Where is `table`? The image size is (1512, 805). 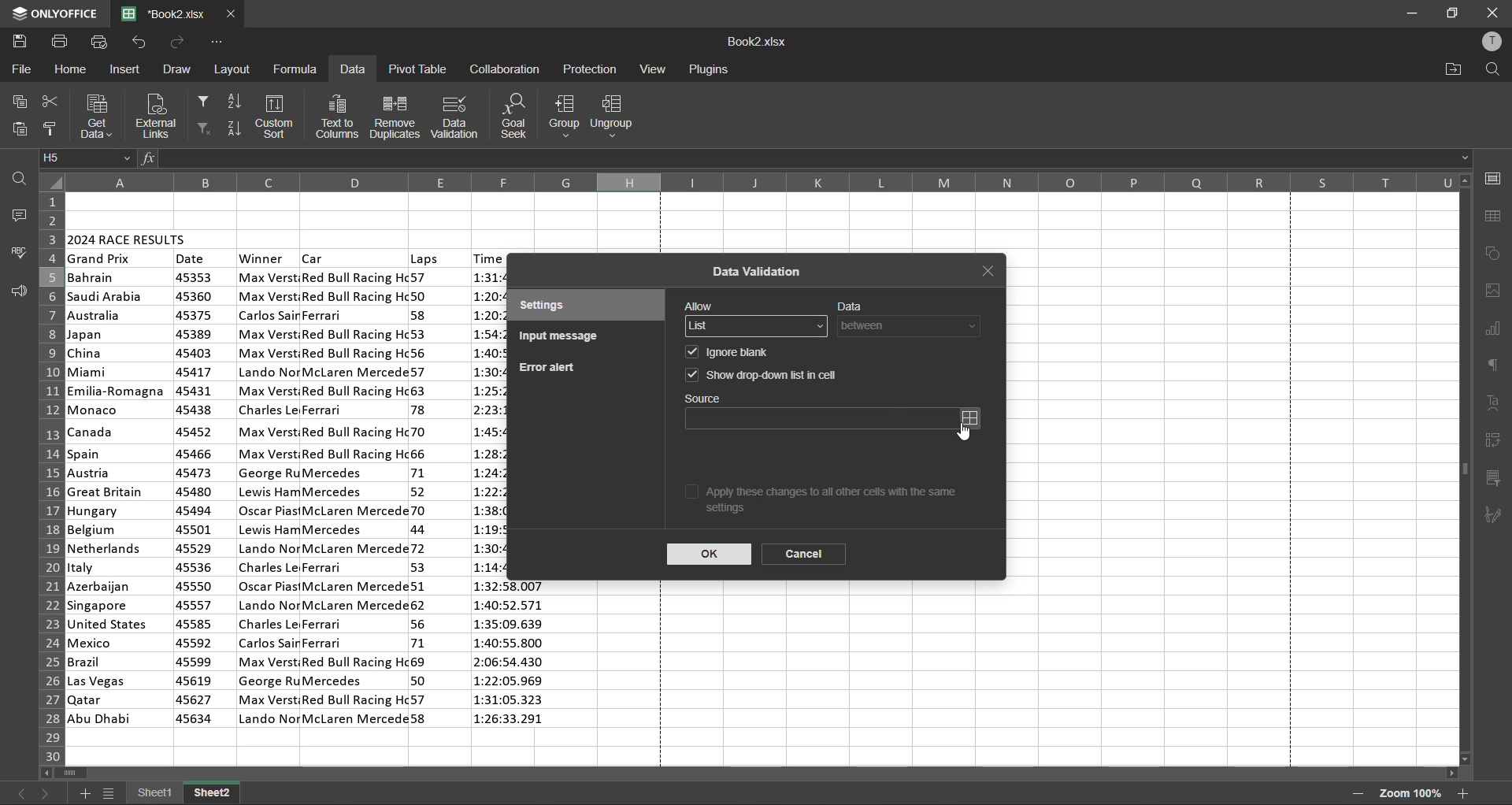
table is located at coordinates (1497, 217).